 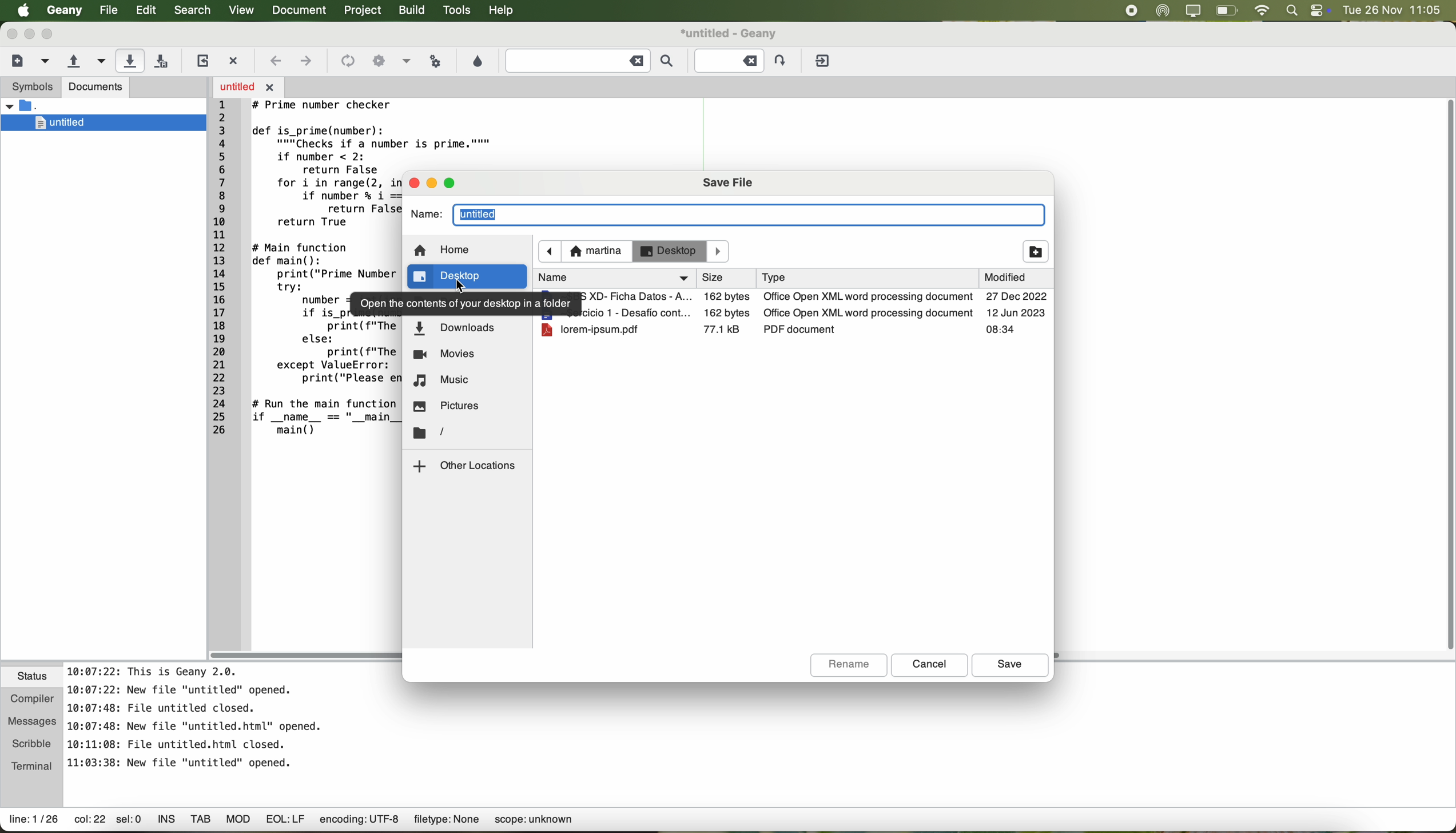 What do you see at coordinates (849, 666) in the screenshot?
I see `rename button` at bounding box center [849, 666].